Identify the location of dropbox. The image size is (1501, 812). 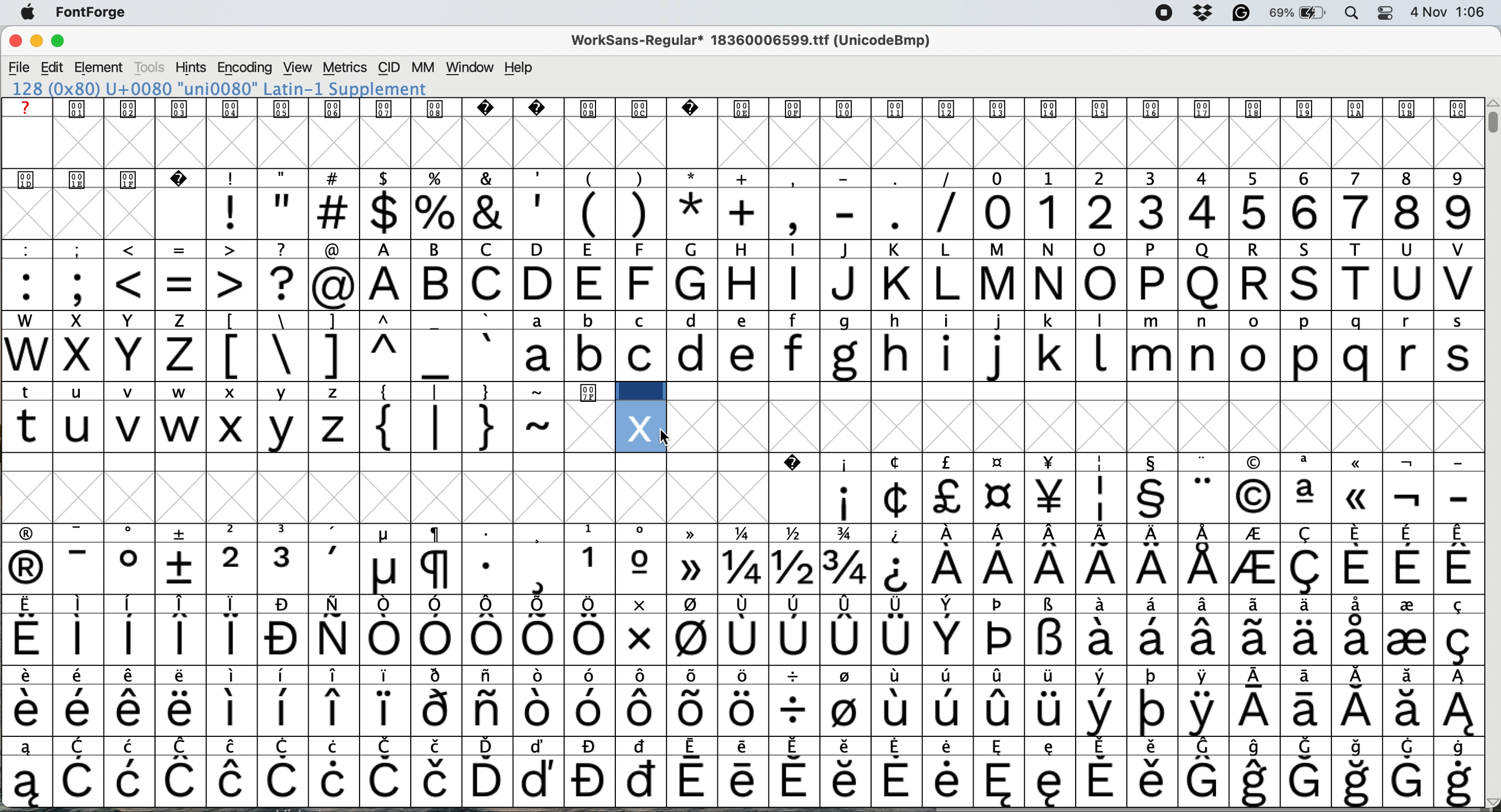
(1201, 13).